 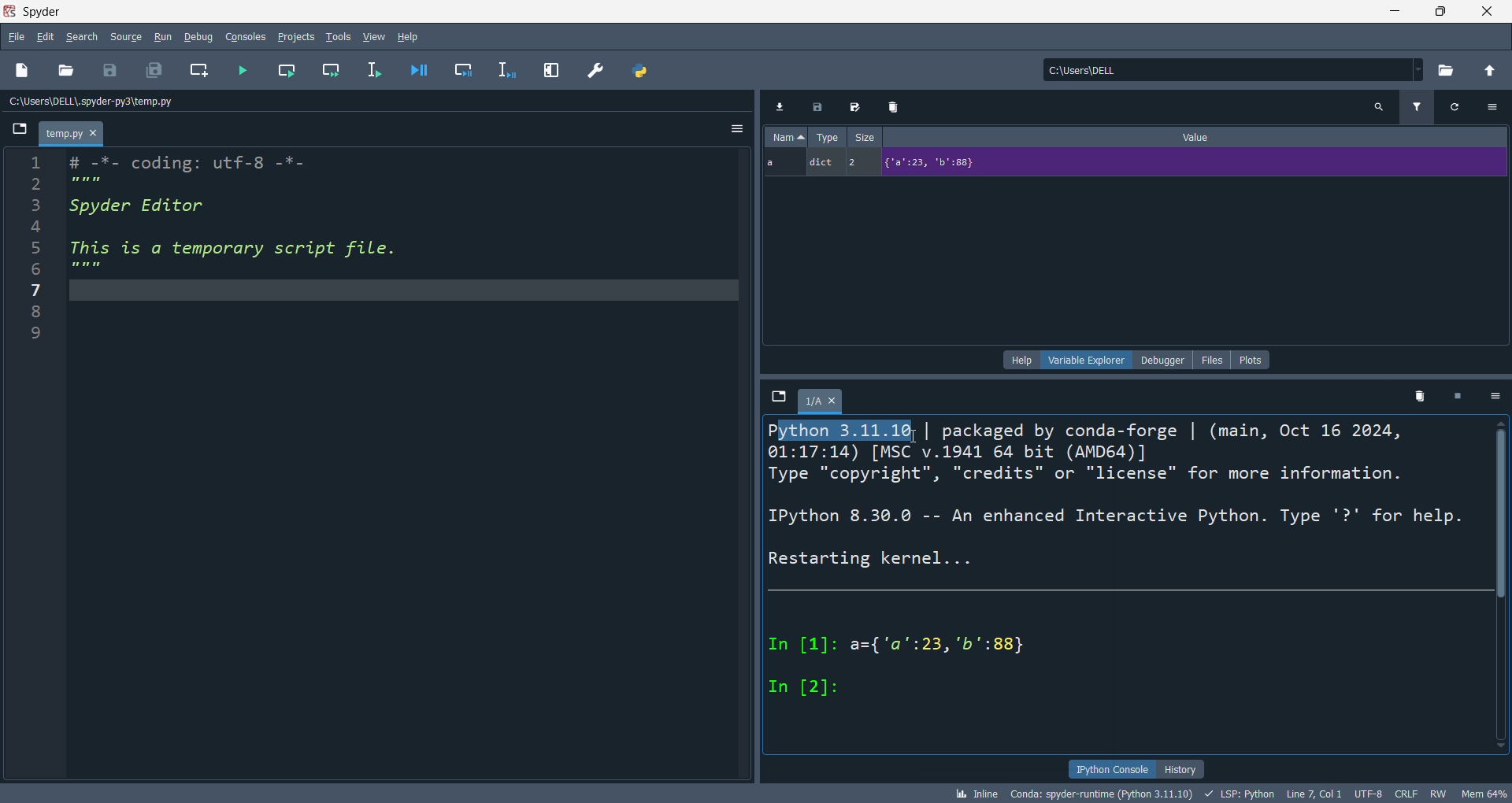 What do you see at coordinates (424, 68) in the screenshot?
I see `debug file` at bounding box center [424, 68].